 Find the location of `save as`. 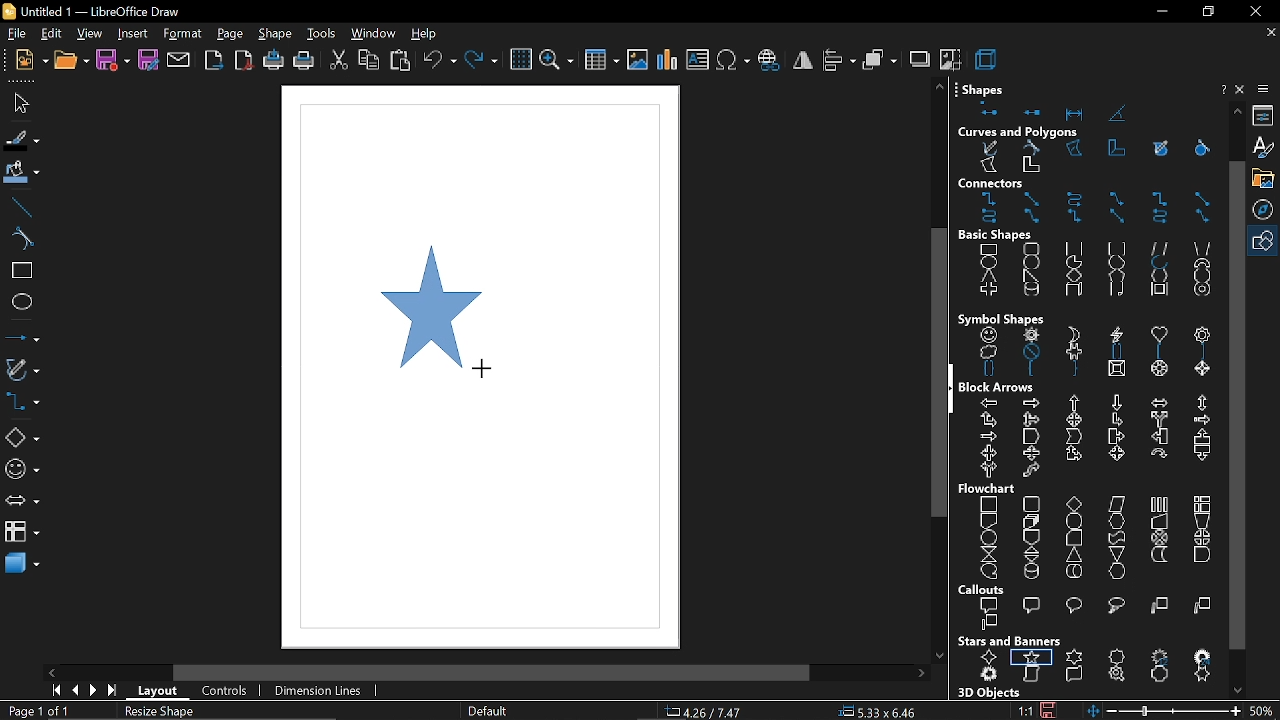

save as is located at coordinates (148, 61).